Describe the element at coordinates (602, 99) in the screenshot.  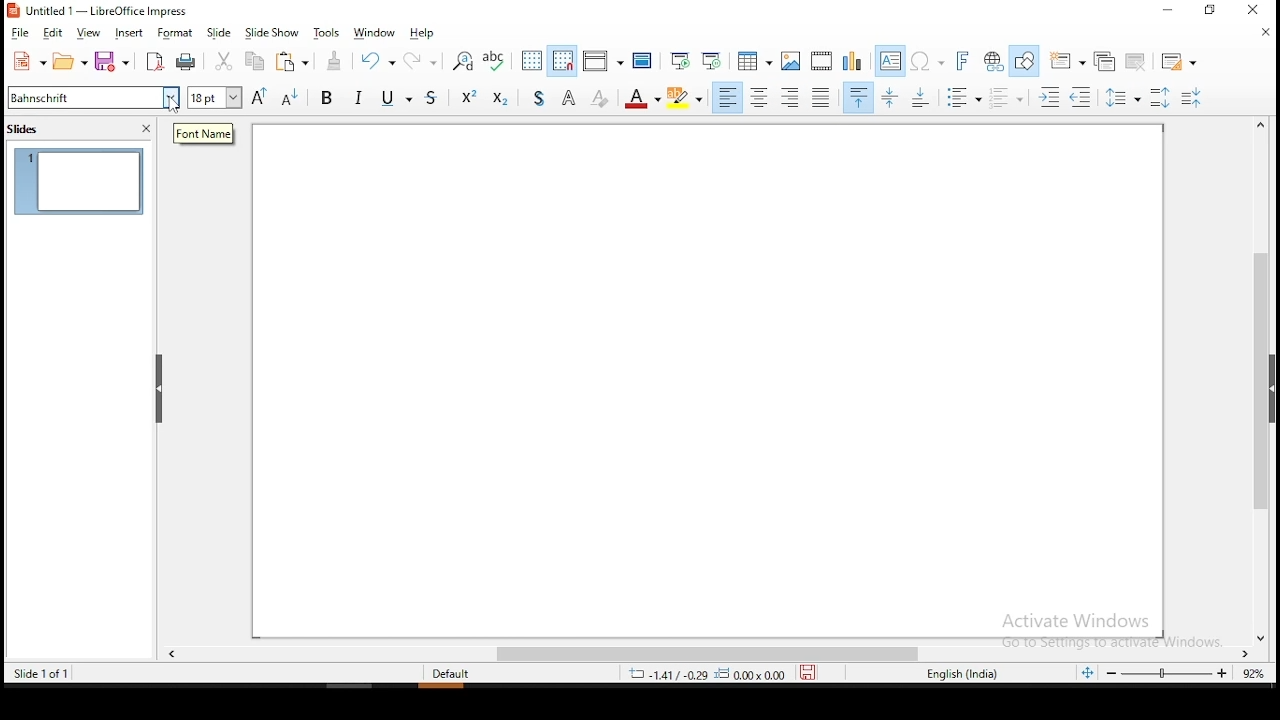
I see `clear direct formatting` at that location.